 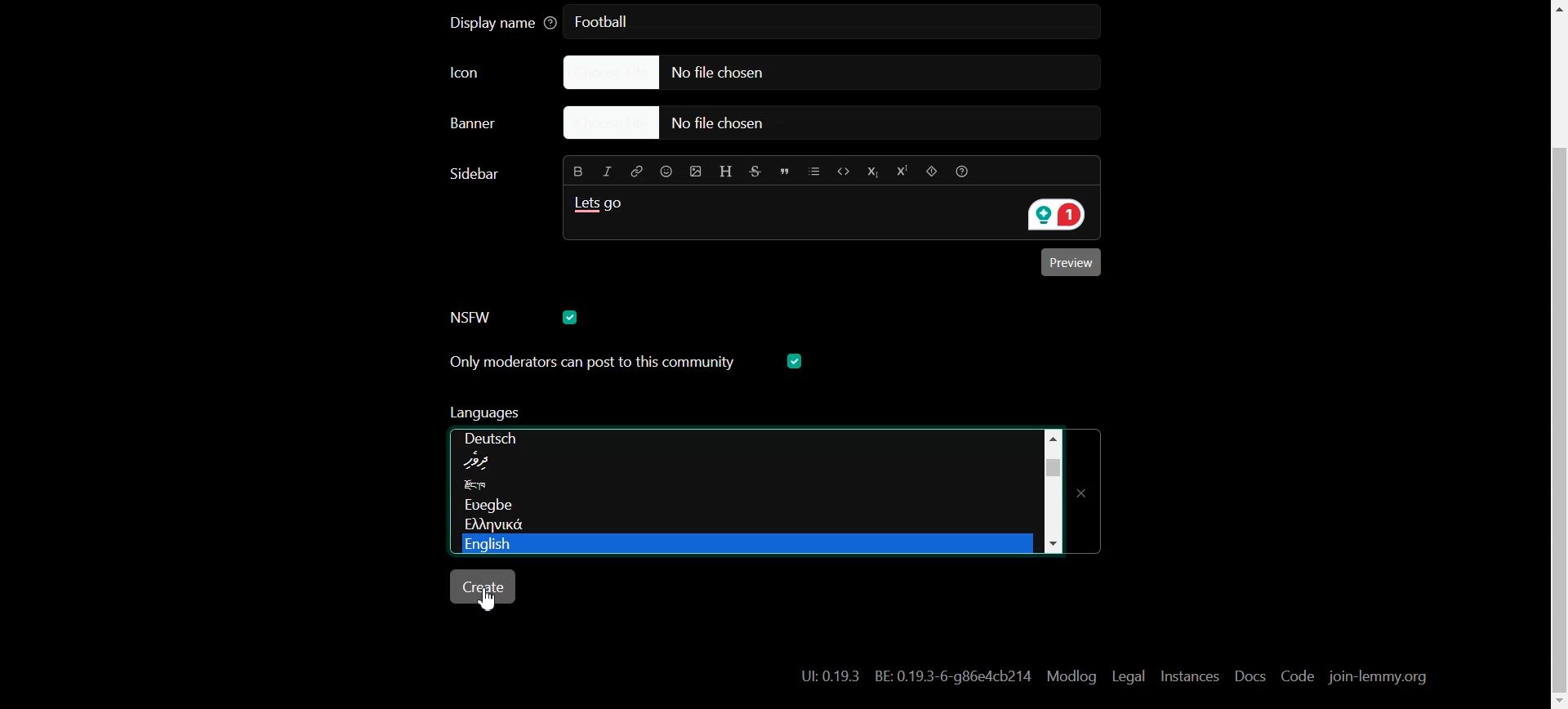 I want to click on Text, so click(x=916, y=676).